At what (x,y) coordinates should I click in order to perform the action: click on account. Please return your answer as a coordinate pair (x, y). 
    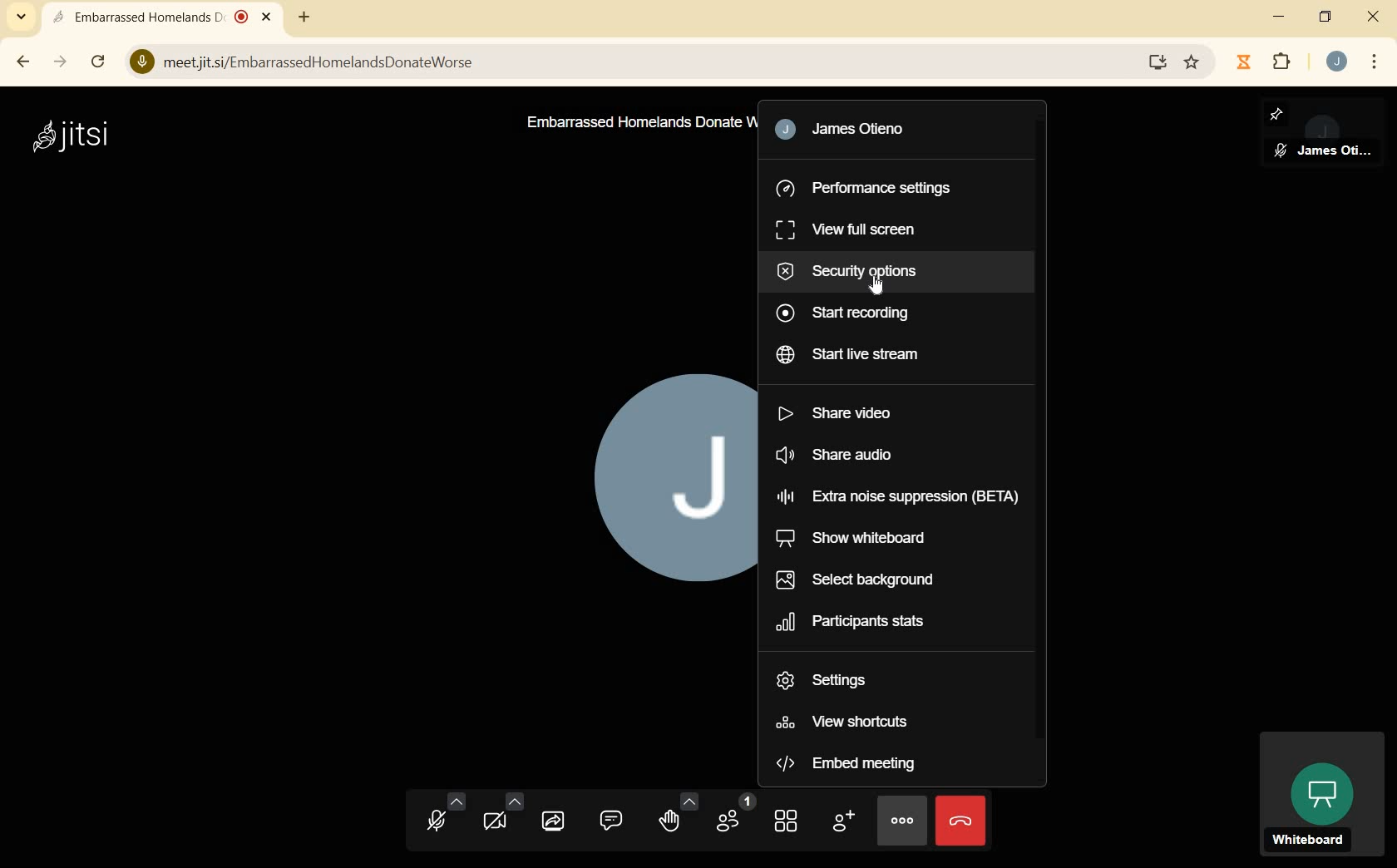
    Looking at the image, I should click on (1337, 63).